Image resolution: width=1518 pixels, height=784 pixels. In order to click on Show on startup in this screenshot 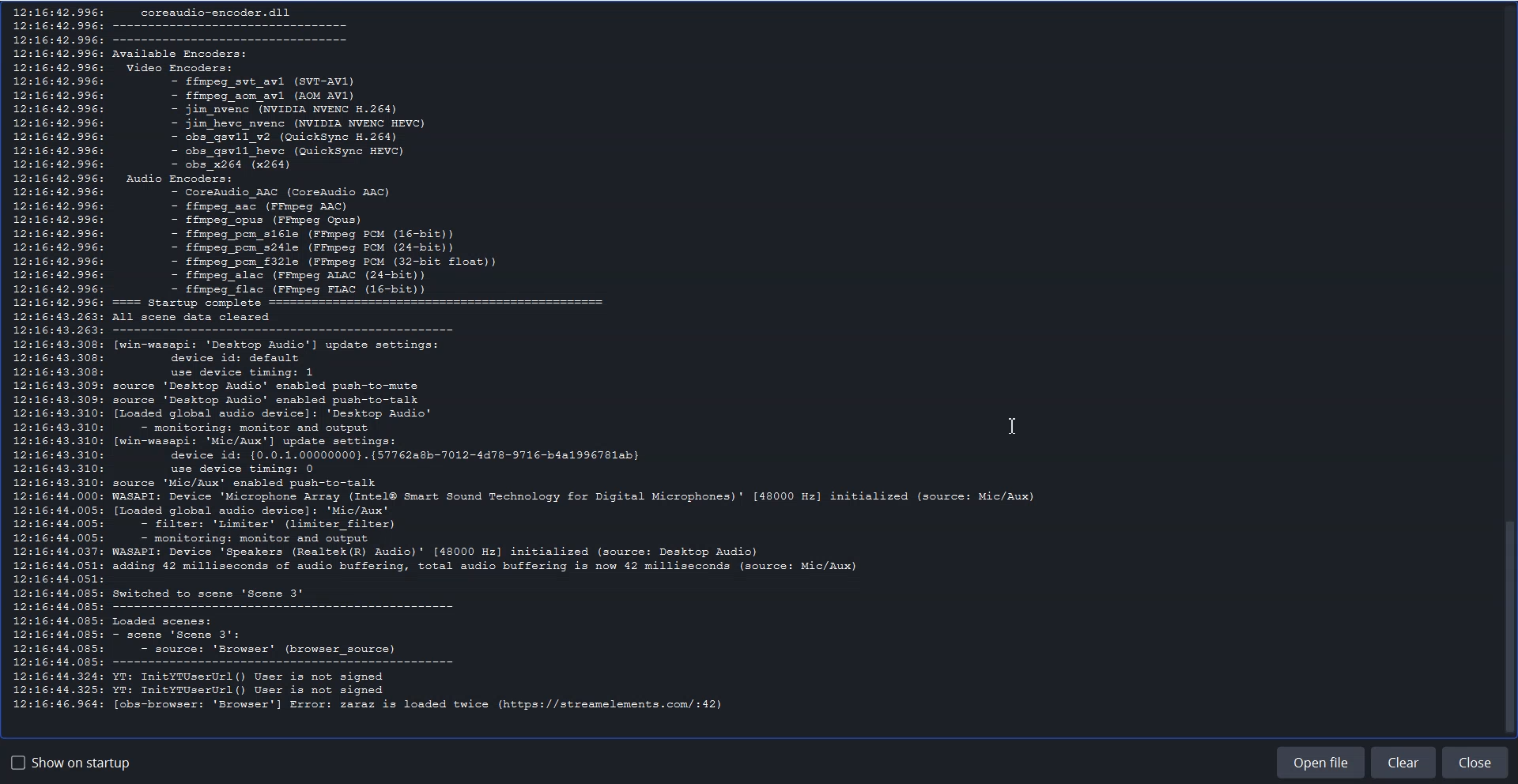, I will do `click(70, 763)`.